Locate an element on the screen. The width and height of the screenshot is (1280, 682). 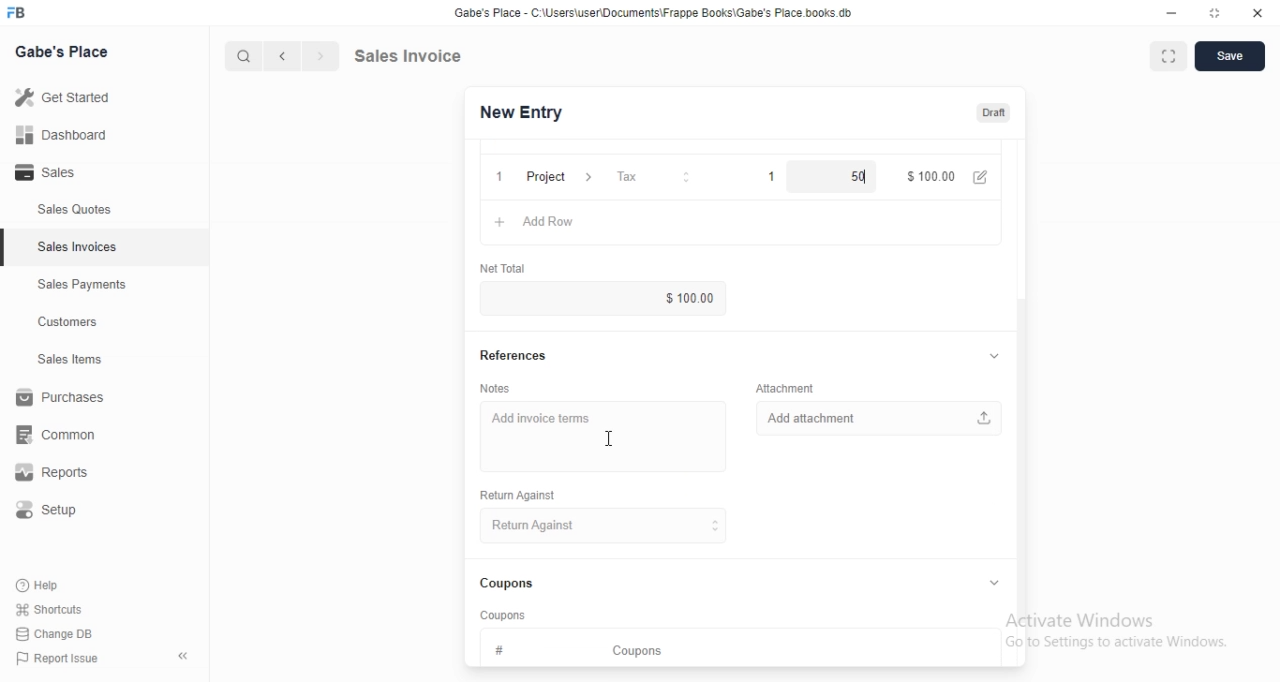
Purchases is located at coordinates (64, 400).